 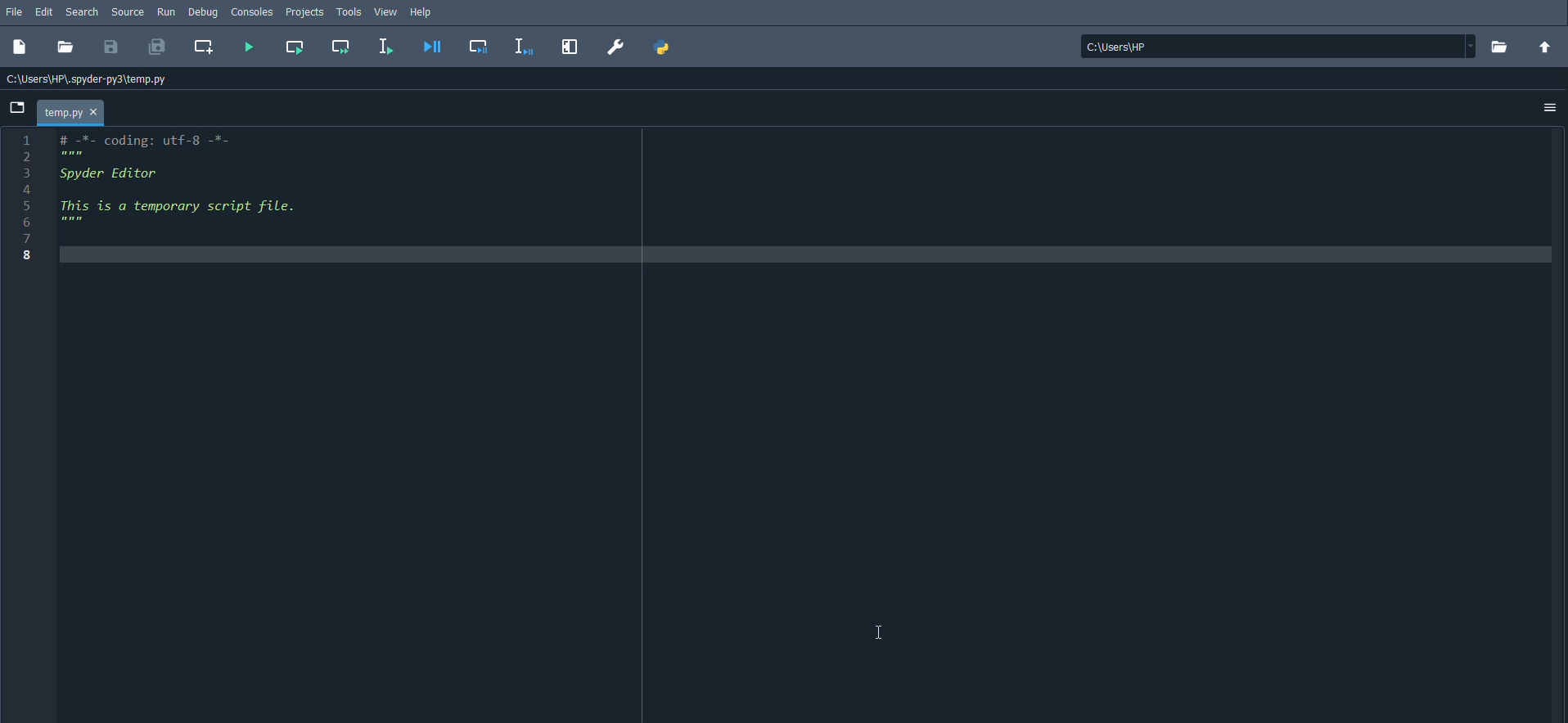 I want to click on Debug selection or current line, so click(x=522, y=47).